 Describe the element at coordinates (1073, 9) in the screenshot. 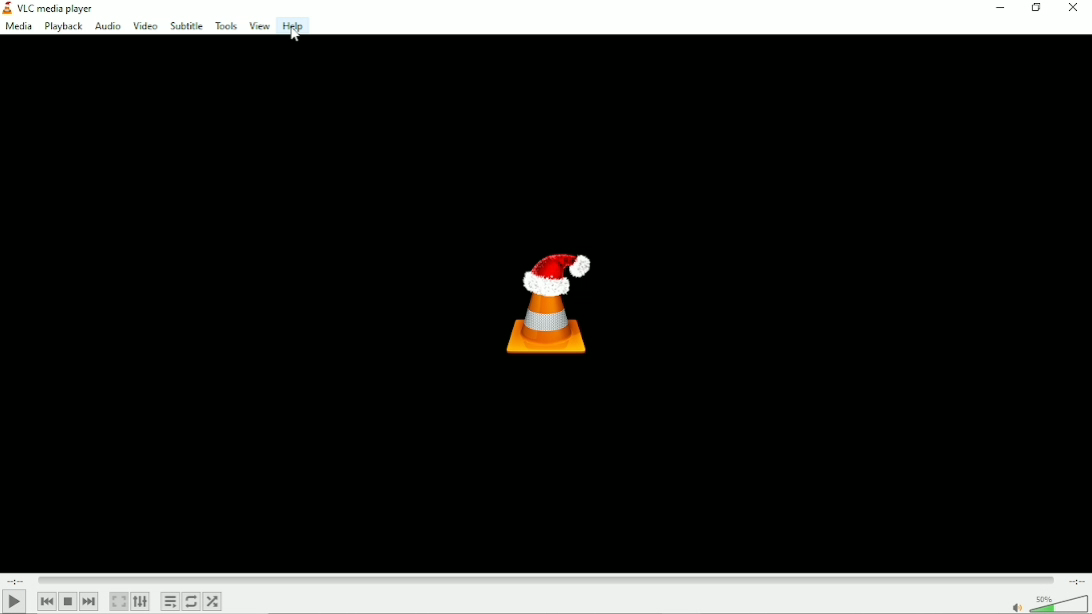

I see `Close` at that location.